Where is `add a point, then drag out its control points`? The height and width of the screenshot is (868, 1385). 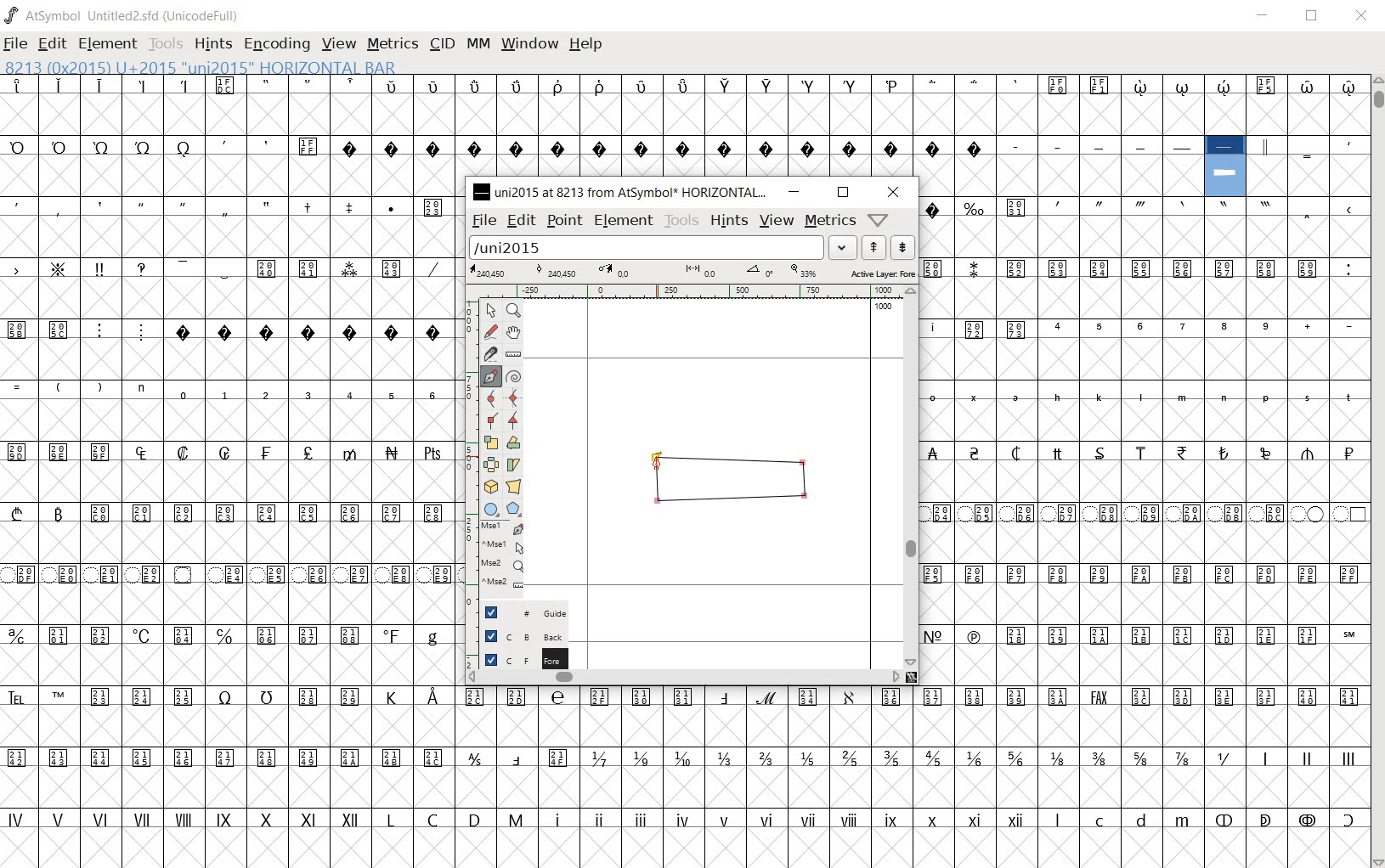 add a point, then drag out its control points is located at coordinates (488, 375).